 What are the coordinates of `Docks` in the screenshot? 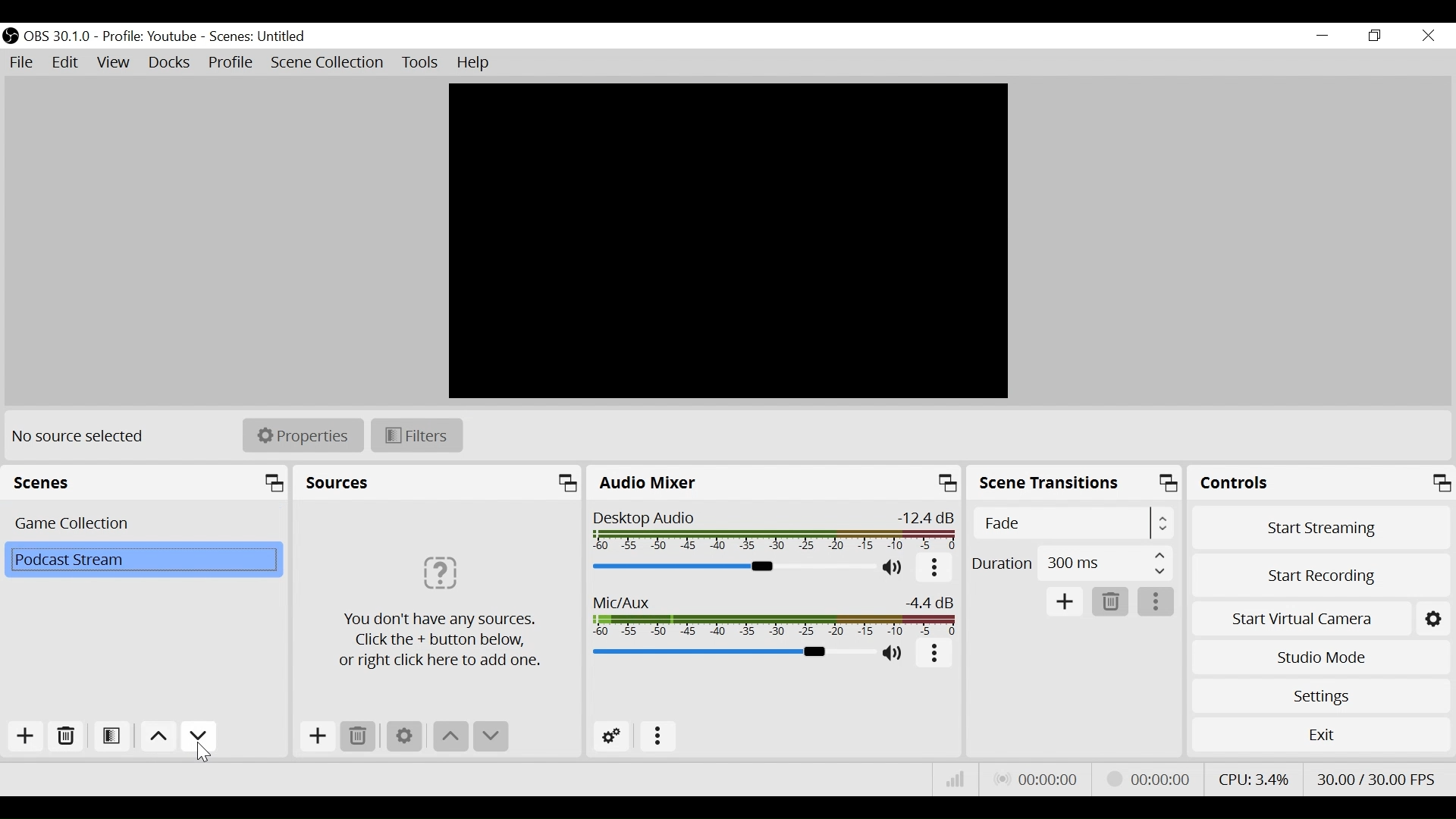 It's located at (169, 64).